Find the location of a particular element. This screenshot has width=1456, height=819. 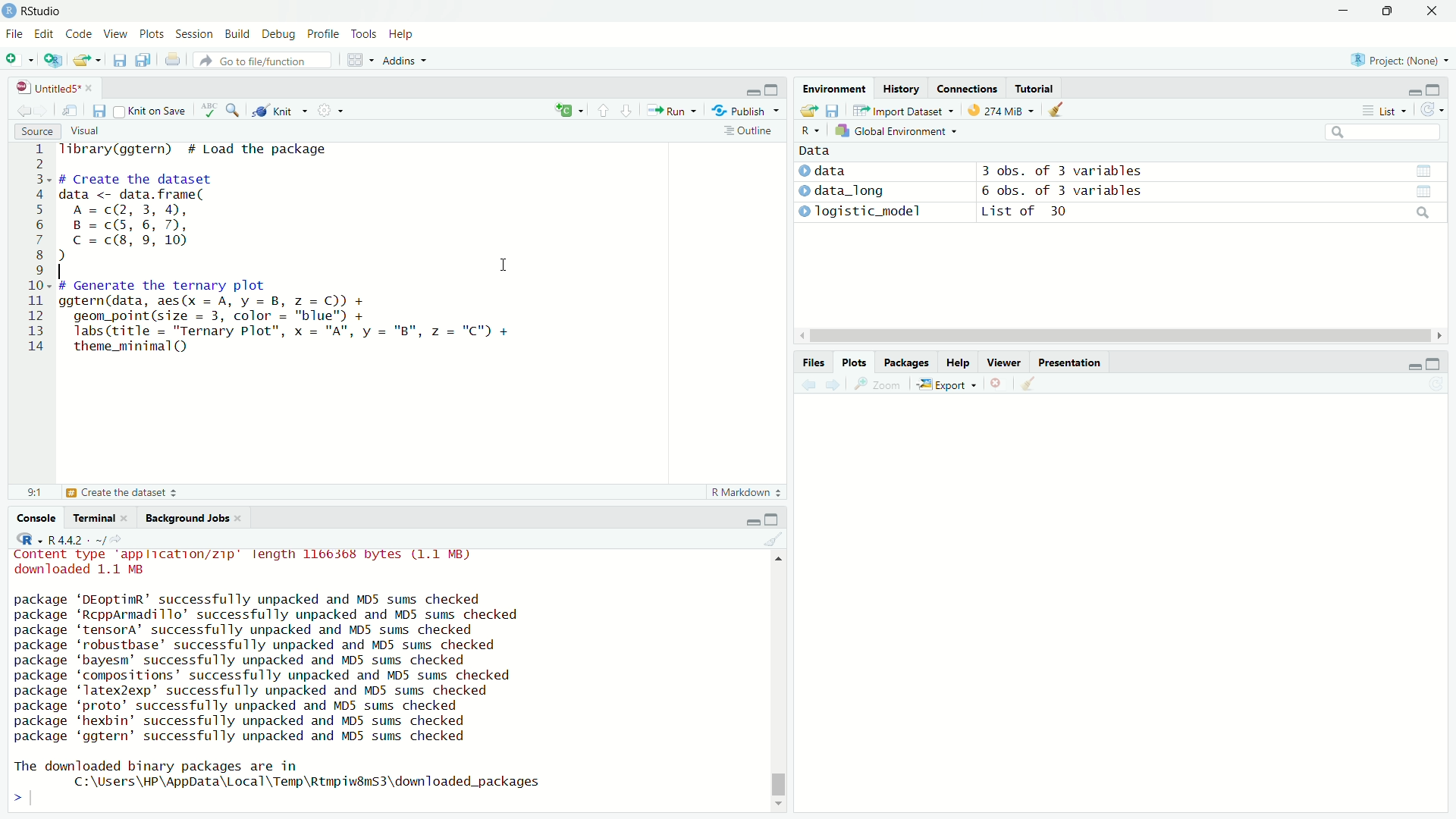

minimise is located at coordinates (752, 89).